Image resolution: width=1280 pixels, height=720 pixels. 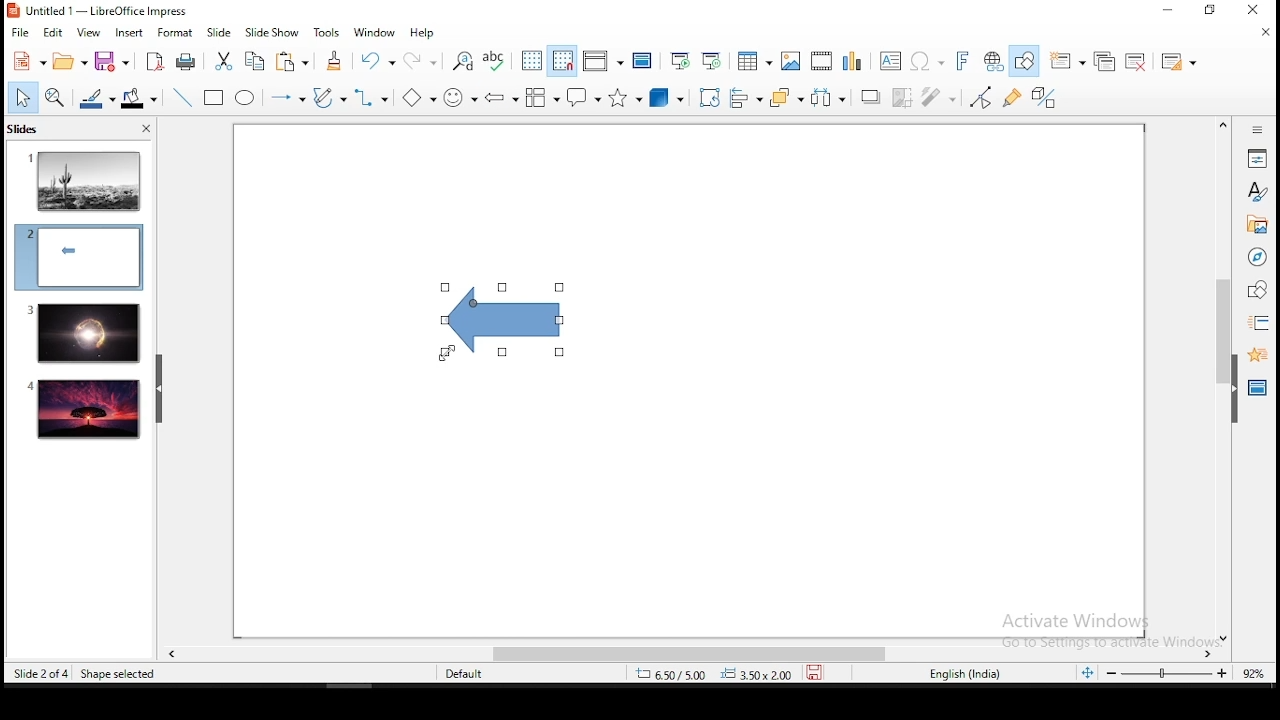 I want to click on window, so click(x=371, y=31).